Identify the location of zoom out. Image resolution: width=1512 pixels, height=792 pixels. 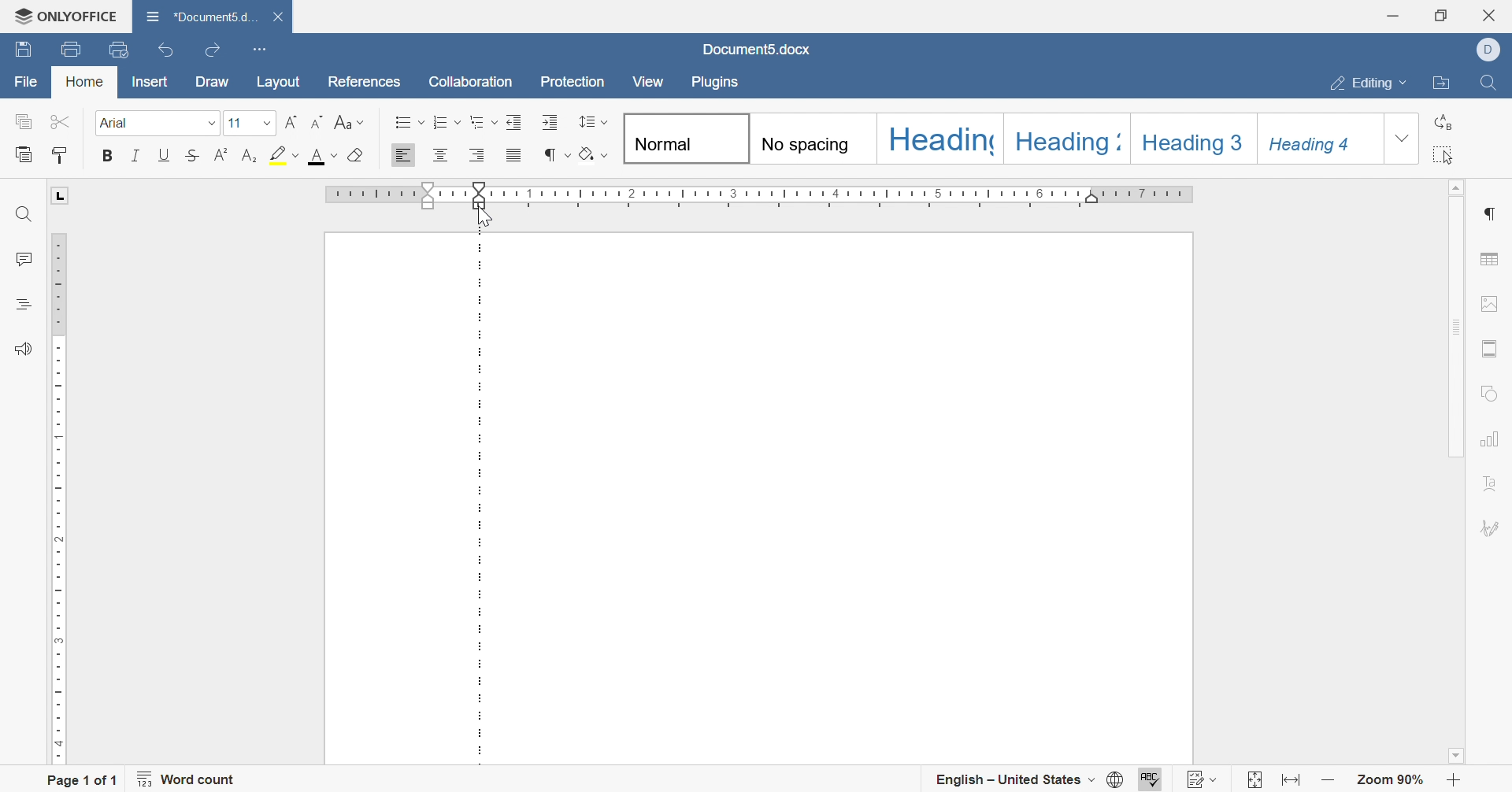
(1327, 779).